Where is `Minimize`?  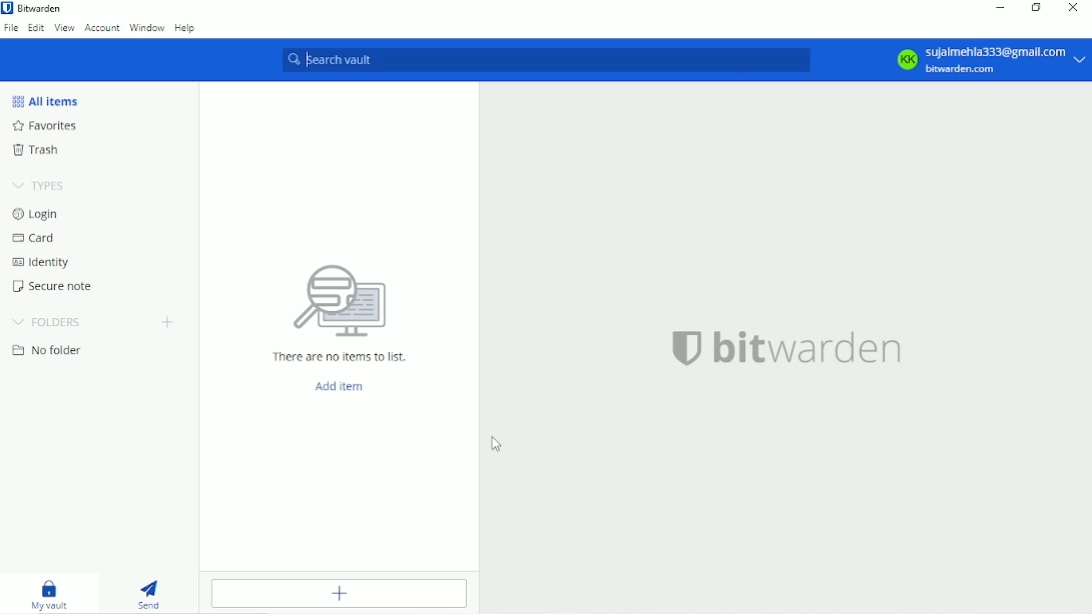 Minimize is located at coordinates (1001, 7).